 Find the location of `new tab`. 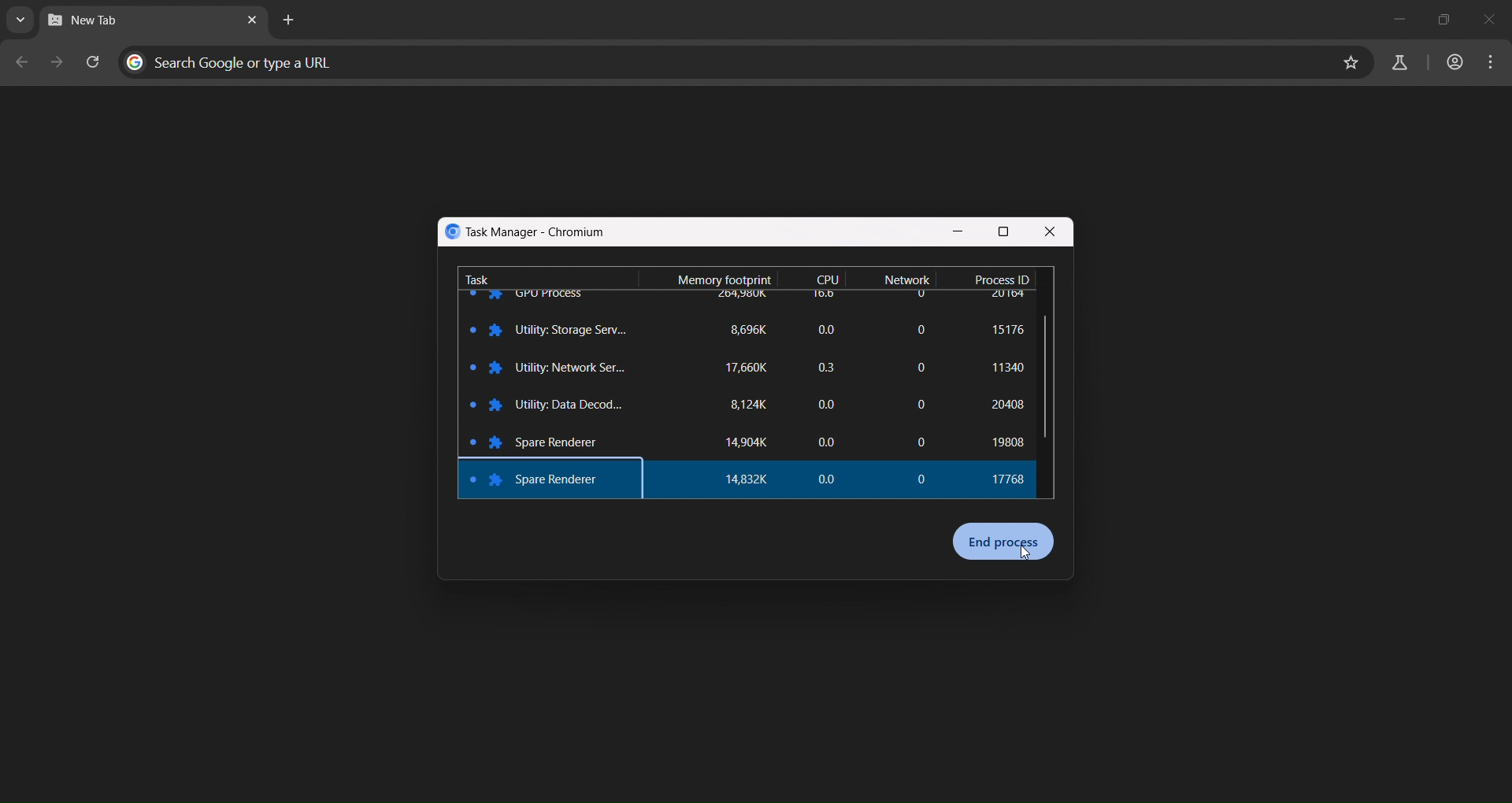

new tab is located at coordinates (287, 22).